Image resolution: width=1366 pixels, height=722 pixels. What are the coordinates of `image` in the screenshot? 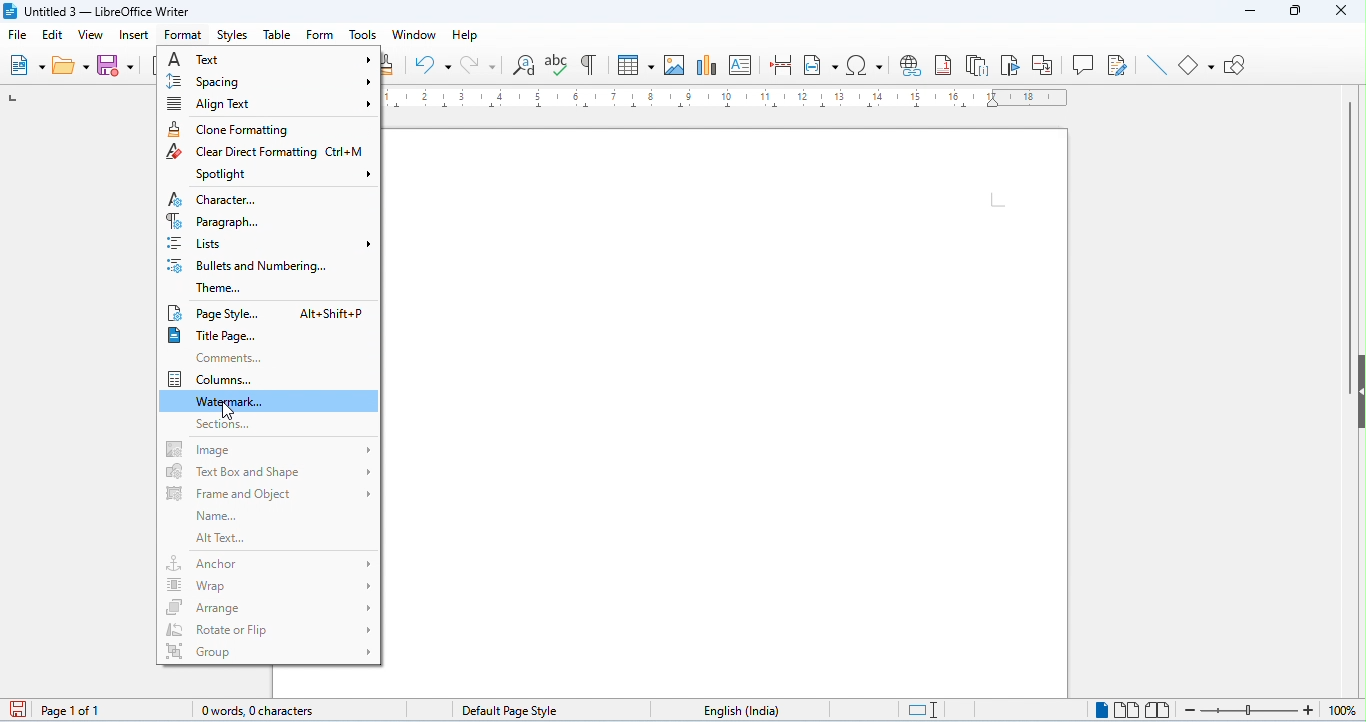 It's located at (271, 448).